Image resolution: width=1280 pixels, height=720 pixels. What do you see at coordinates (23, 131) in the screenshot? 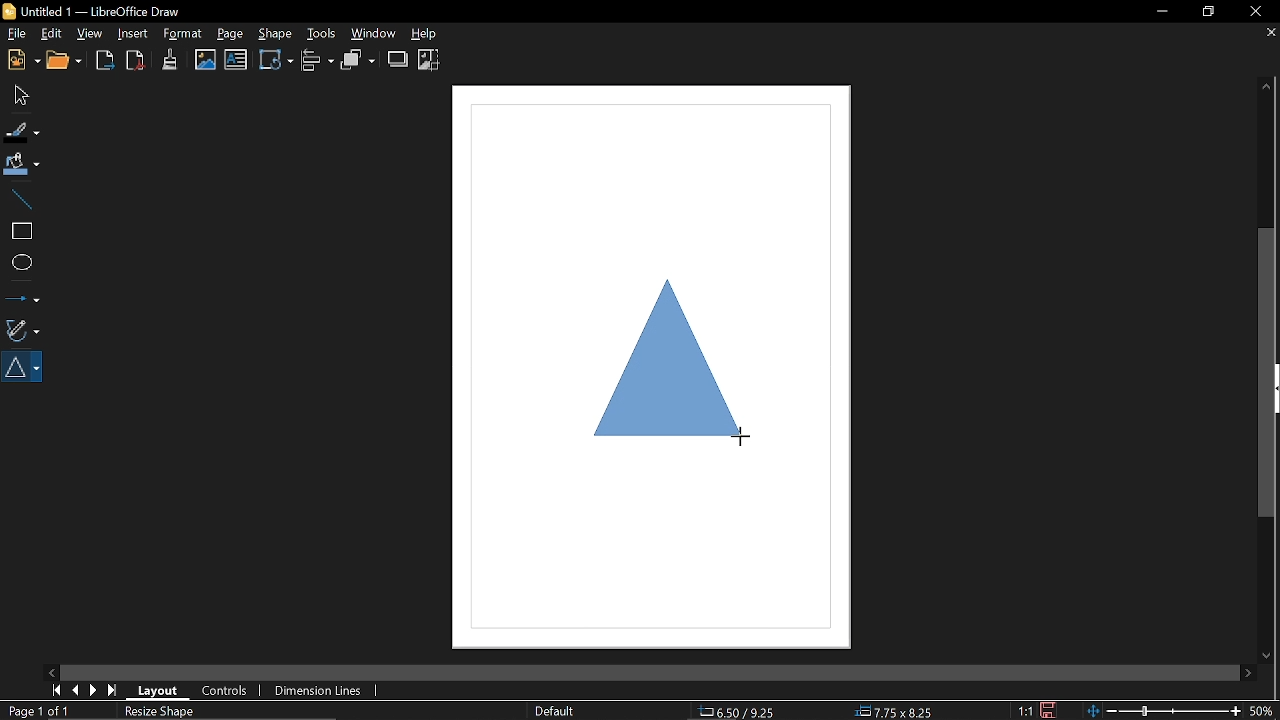
I see `fill line` at bounding box center [23, 131].